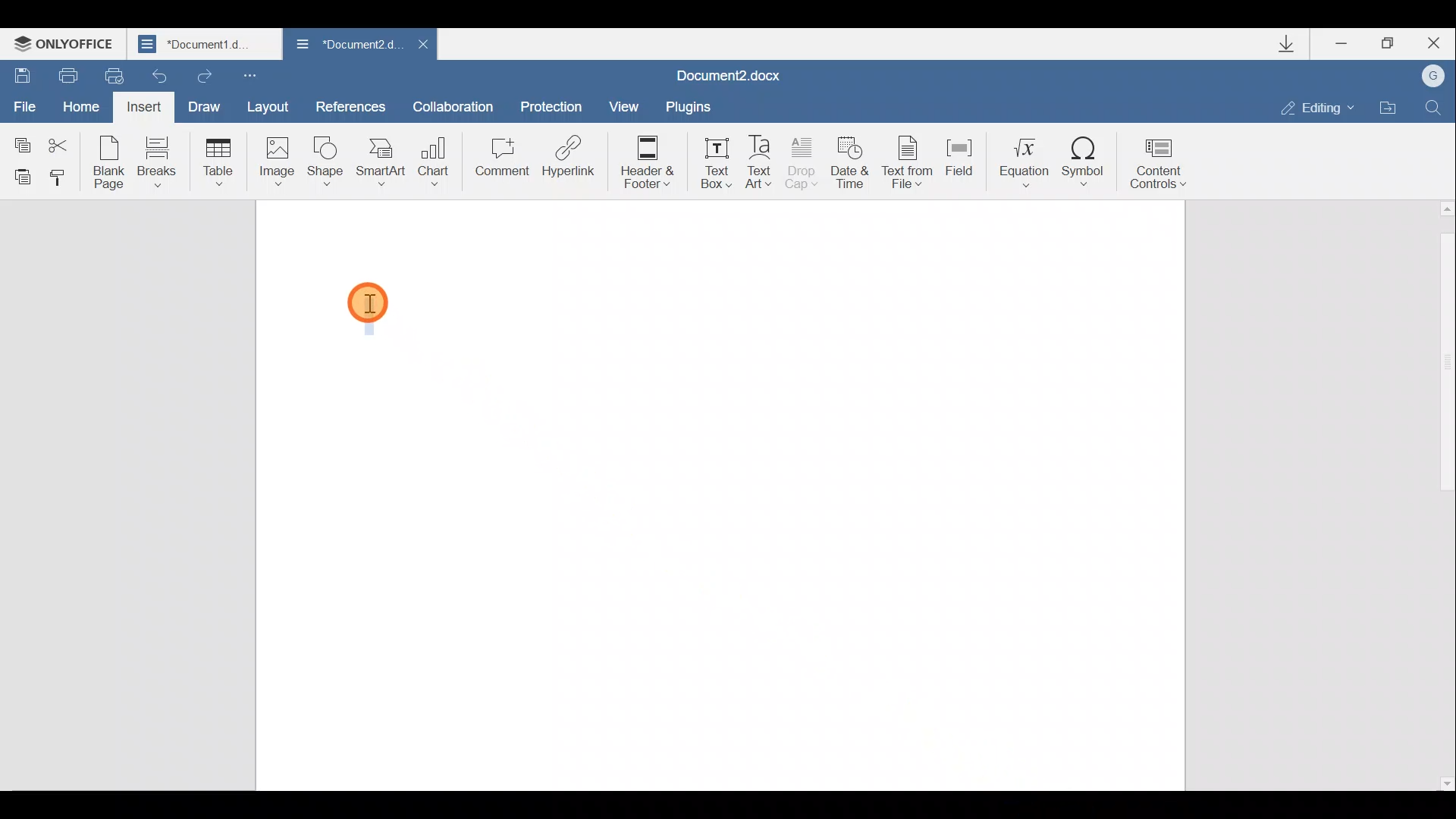 This screenshot has width=1456, height=819. What do you see at coordinates (20, 137) in the screenshot?
I see `Copy` at bounding box center [20, 137].